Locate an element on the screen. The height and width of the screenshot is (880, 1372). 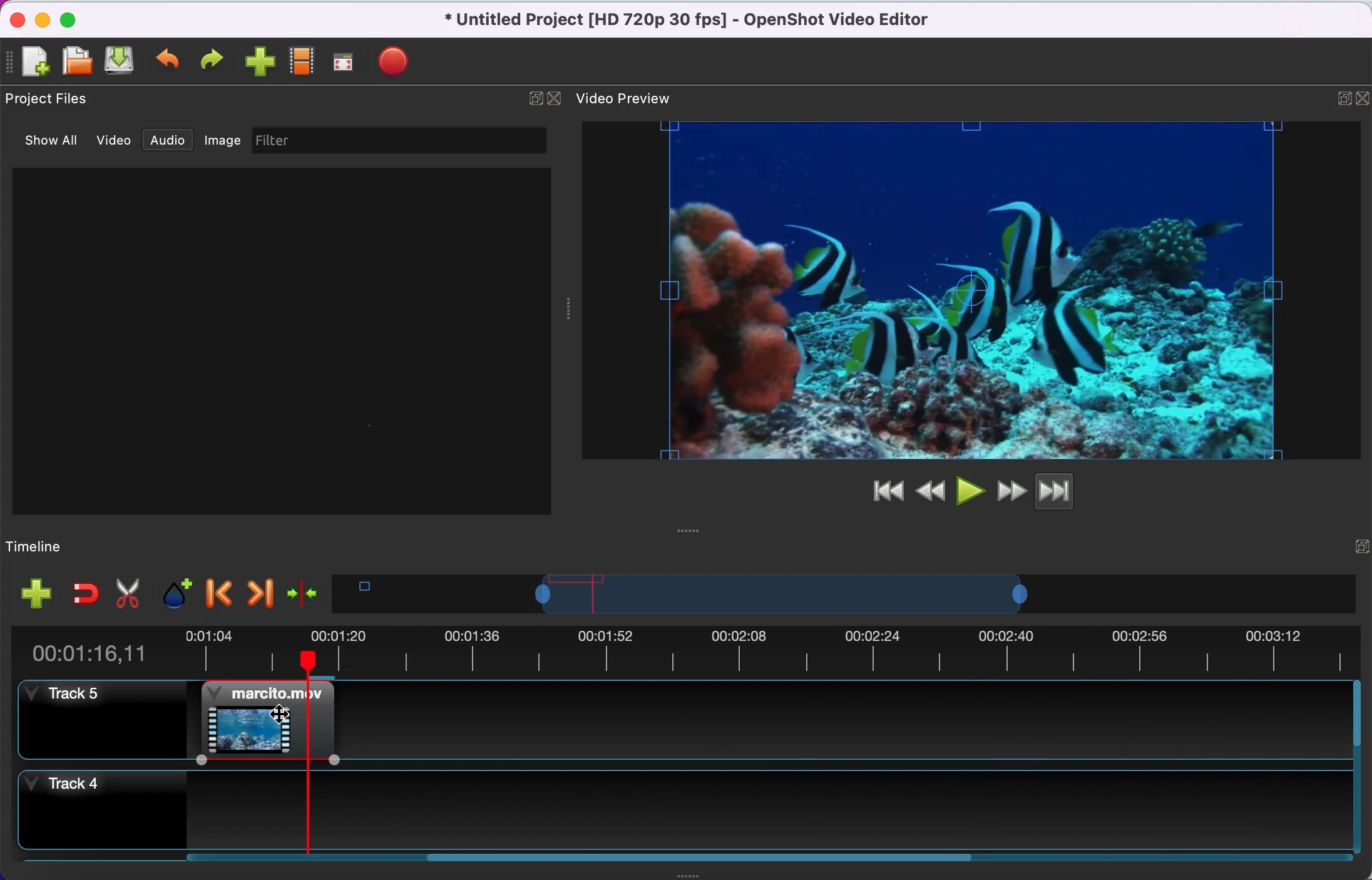
open file is located at coordinates (76, 61).